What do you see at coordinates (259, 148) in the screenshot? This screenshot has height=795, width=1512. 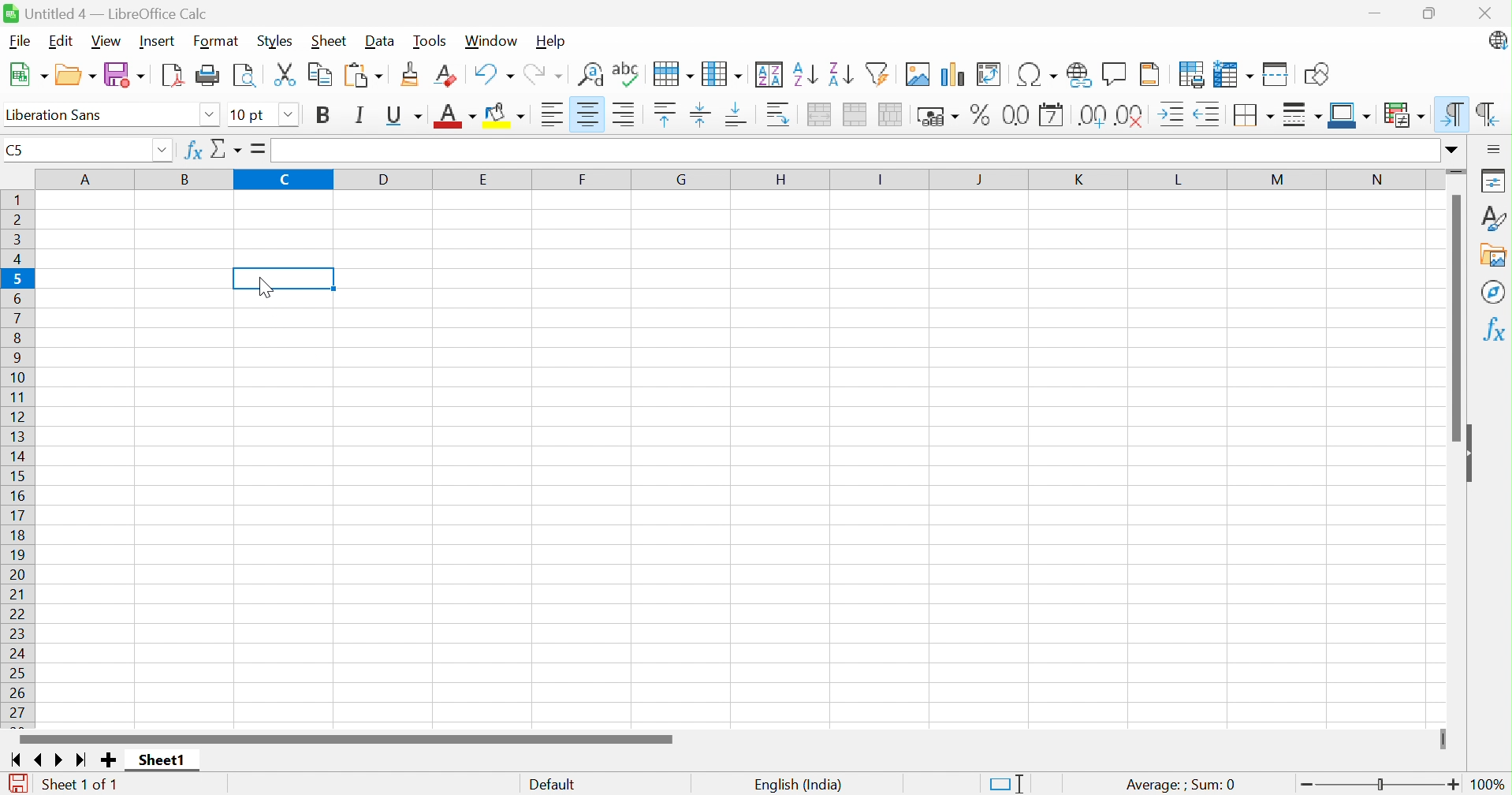 I see `Formula` at bounding box center [259, 148].